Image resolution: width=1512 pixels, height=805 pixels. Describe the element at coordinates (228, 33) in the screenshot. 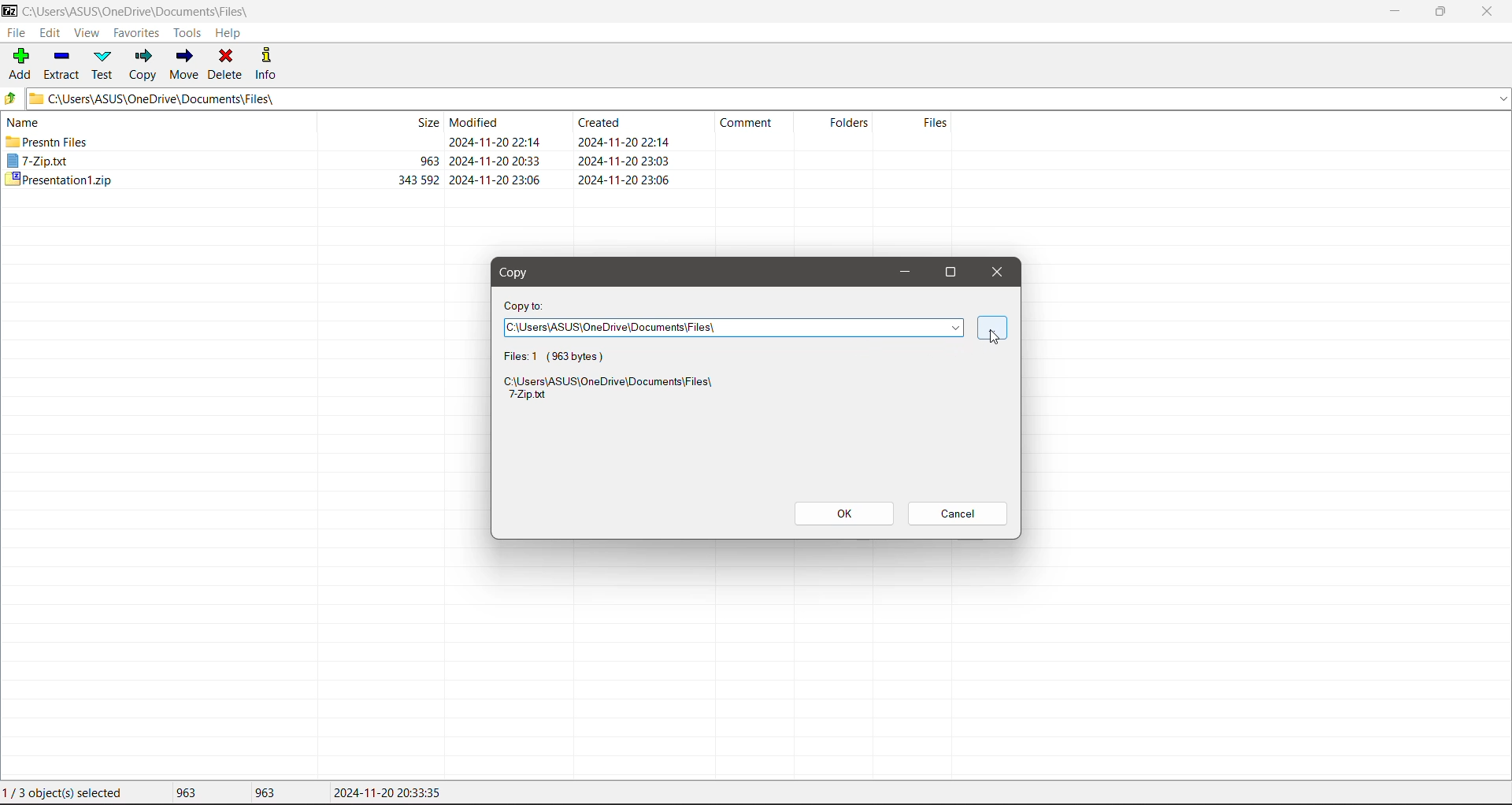

I see `Help` at that location.